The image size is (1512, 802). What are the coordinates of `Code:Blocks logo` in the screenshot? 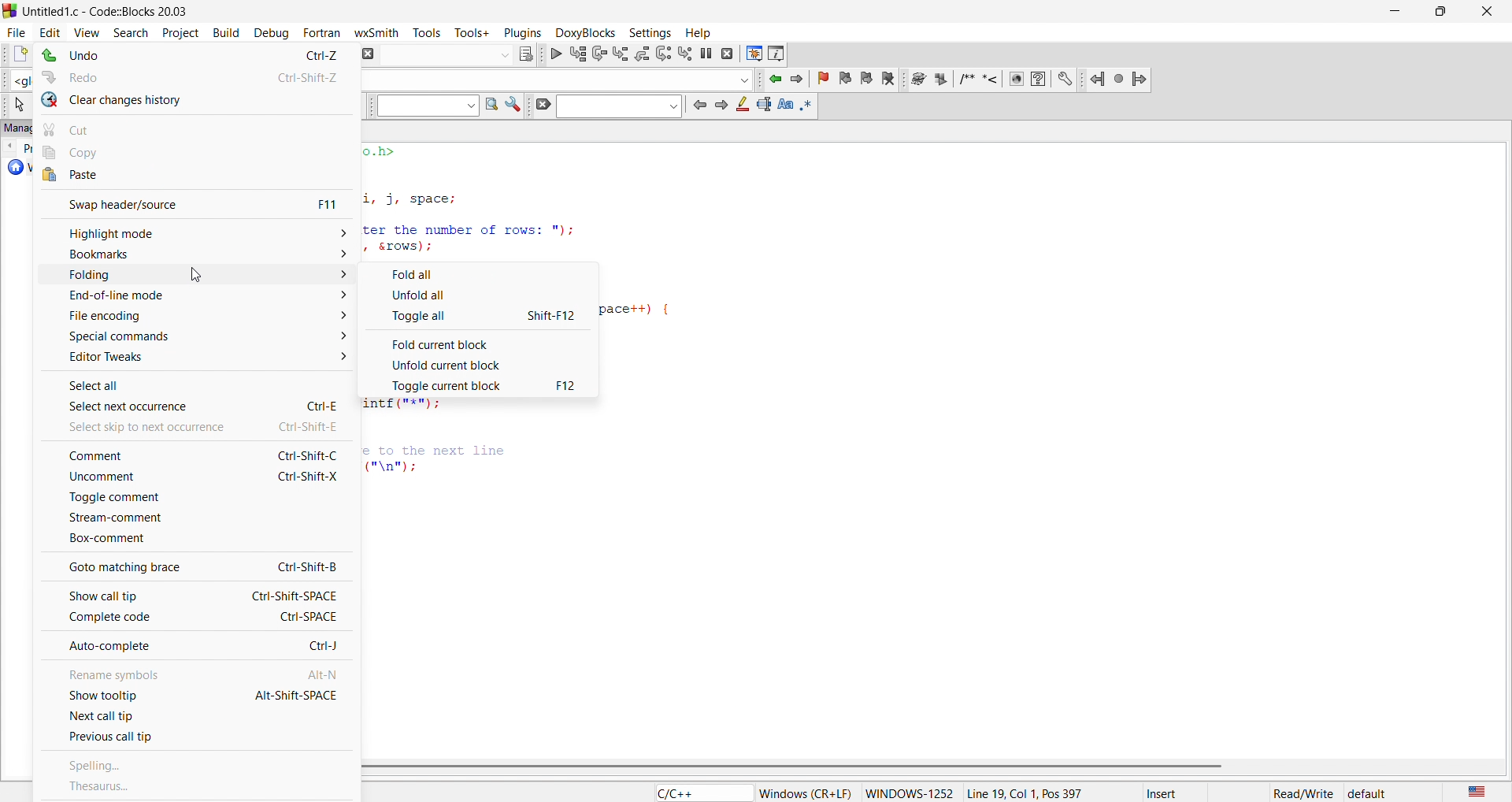 It's located at (9, 9).